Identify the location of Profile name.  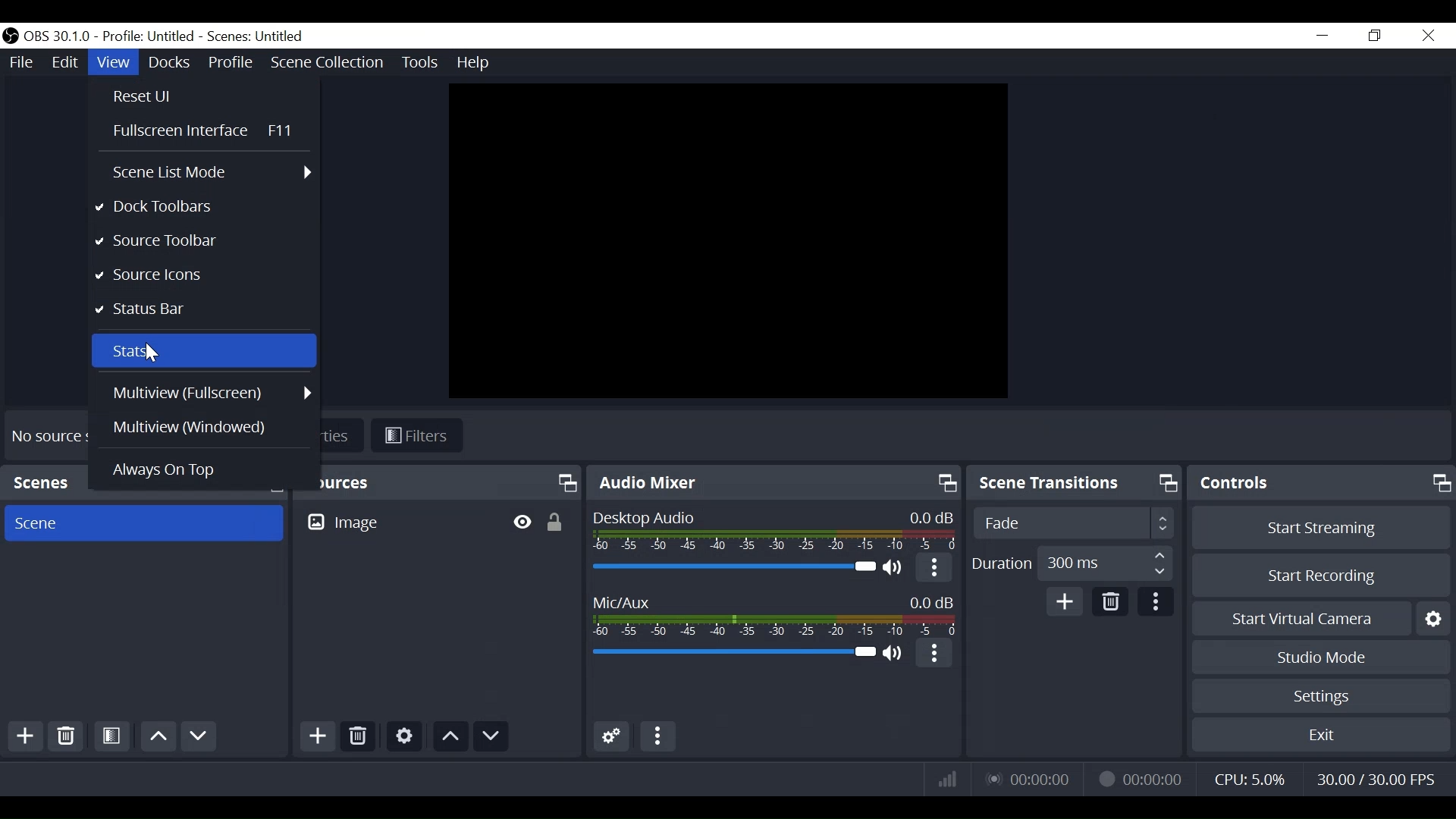
(152, 37).